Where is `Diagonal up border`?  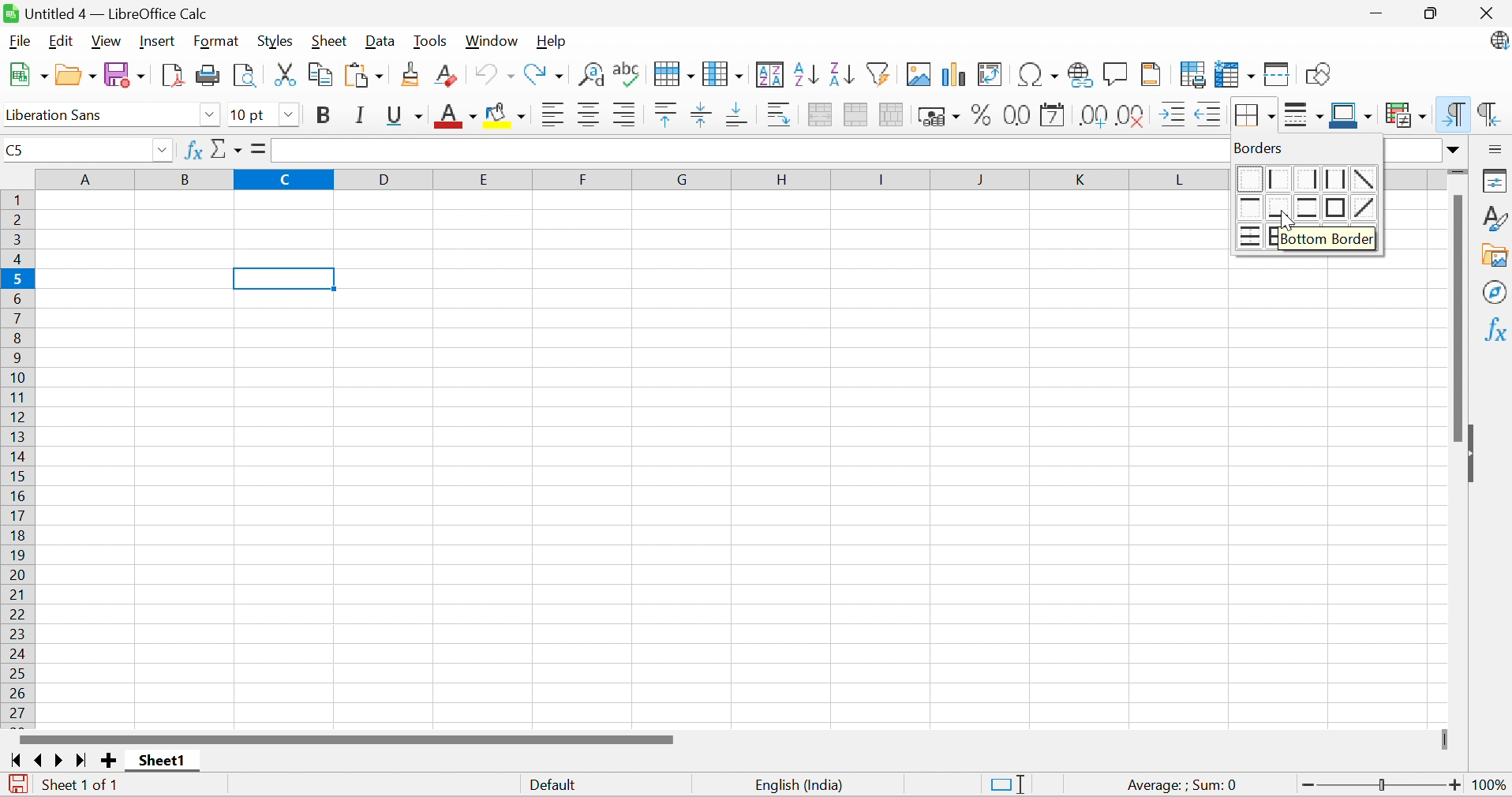
Diagonal up border is located at coordinates (1368, 208).